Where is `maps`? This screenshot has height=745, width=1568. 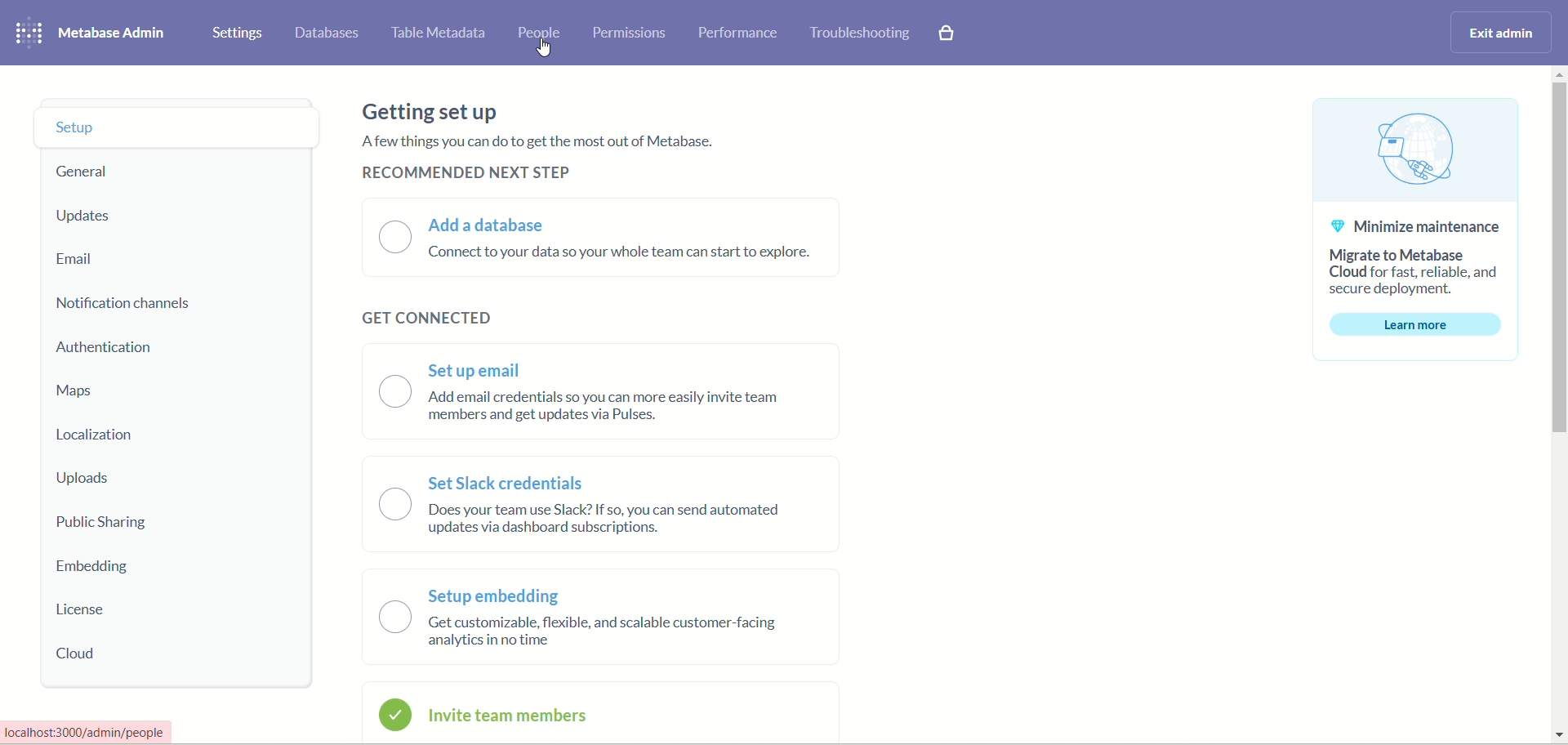 maps is located at coordinates (73, 391).